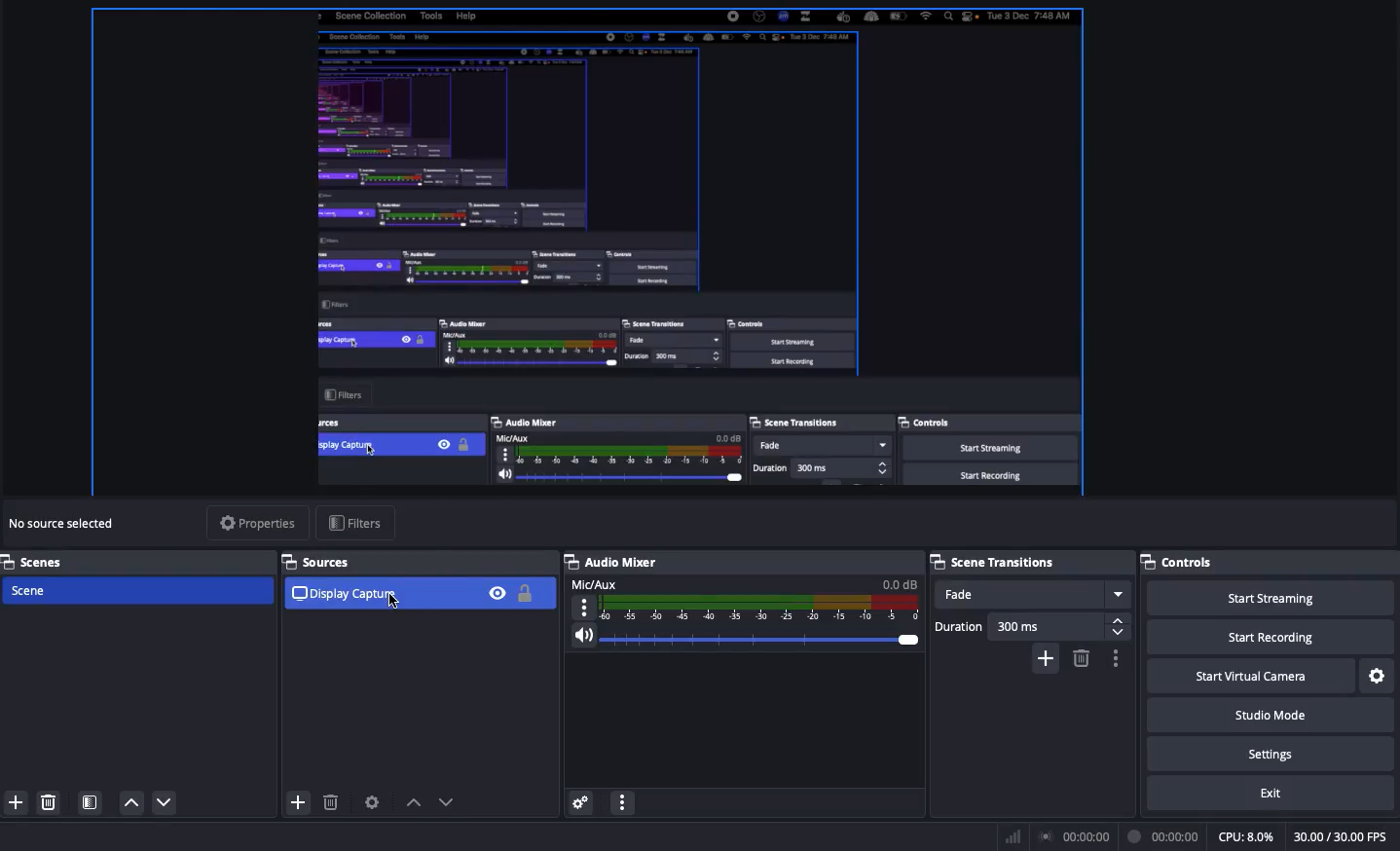 Image resolution: width=1400 pixels, height=851 pixels. What do you see at coordinates (1165, 836) in the screenshot?
I see `Recording` at bounding box center [1165, 836].